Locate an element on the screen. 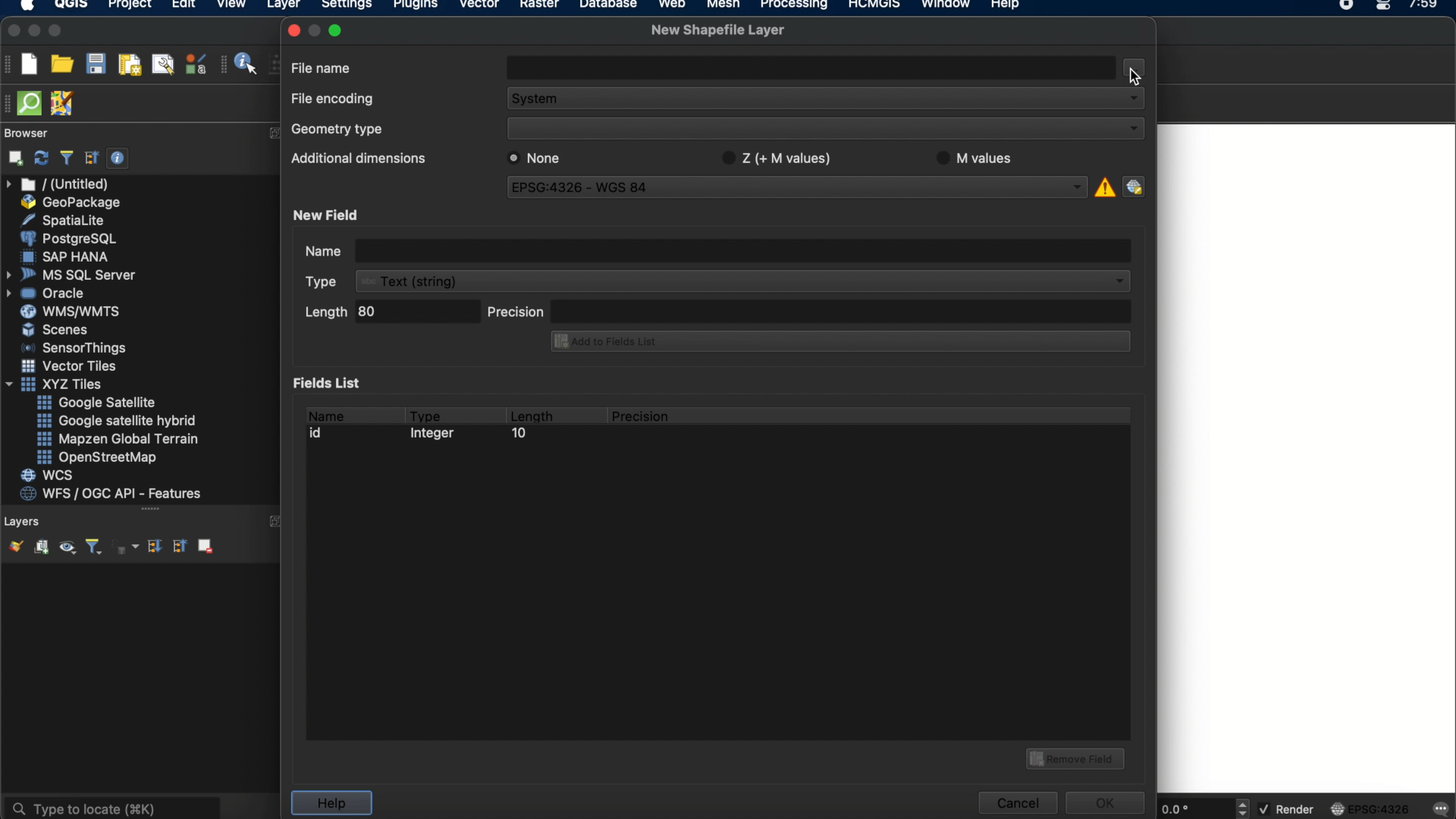 The height and width of the screenshot is (819, 1456). crs selected is located at coordinates (788, 186).